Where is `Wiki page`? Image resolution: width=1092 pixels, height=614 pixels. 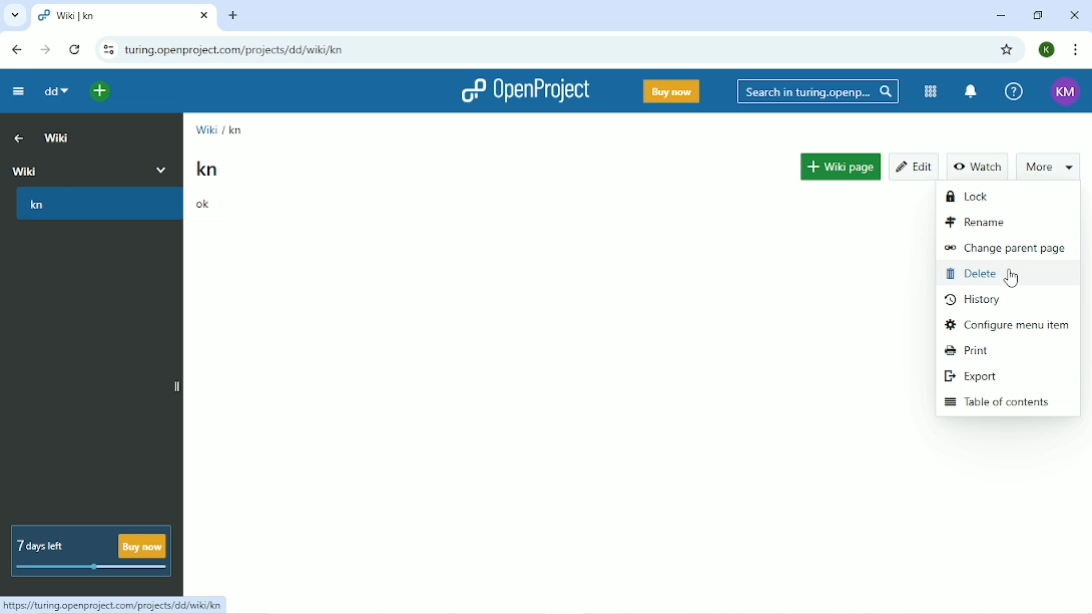
Wiki page is located at coordinates (842, 162).